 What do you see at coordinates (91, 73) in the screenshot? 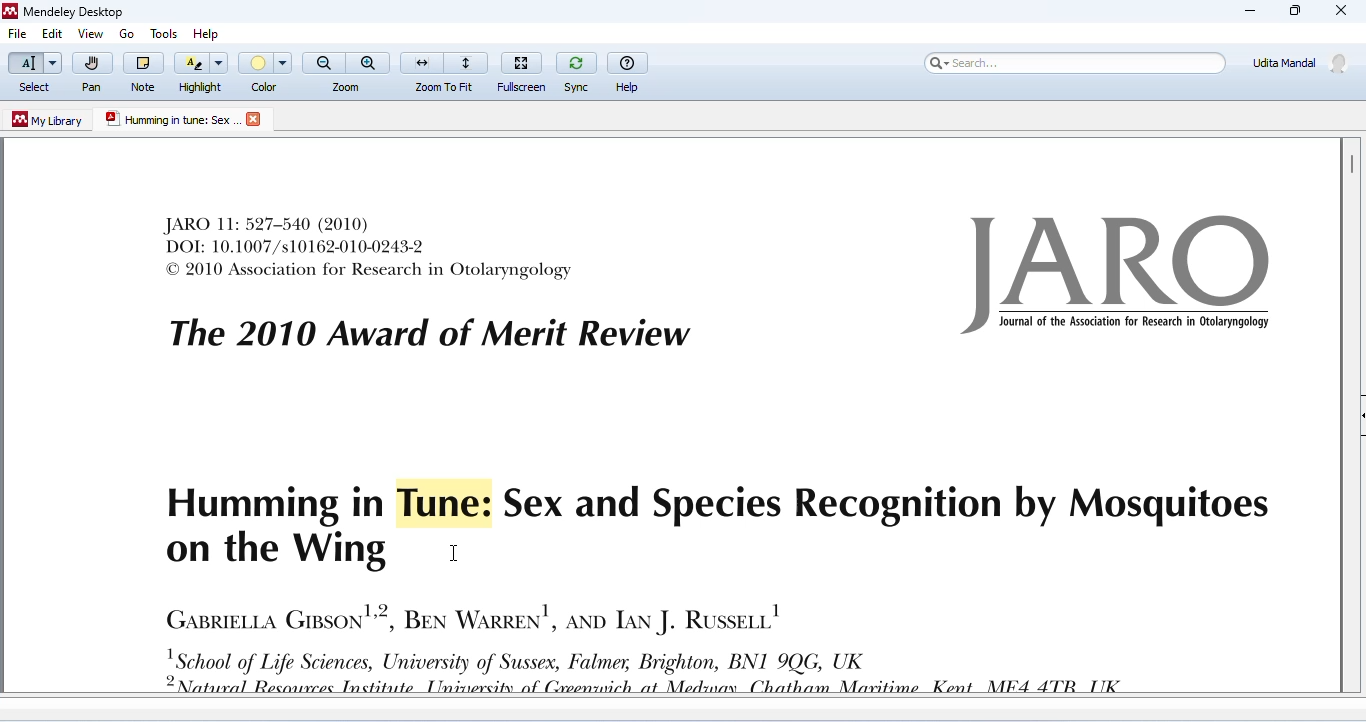
I see `pan` at bounding box center [91, 73].